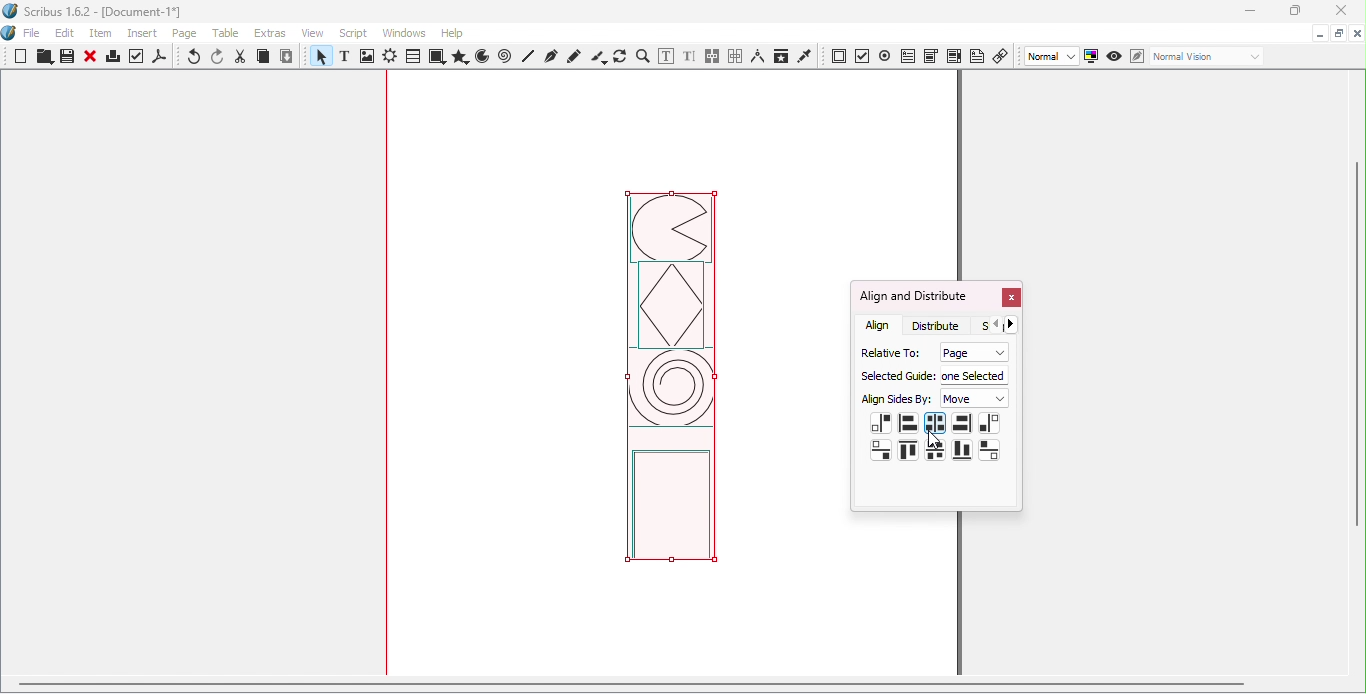  I want to click on Select item, so click(319, 58).